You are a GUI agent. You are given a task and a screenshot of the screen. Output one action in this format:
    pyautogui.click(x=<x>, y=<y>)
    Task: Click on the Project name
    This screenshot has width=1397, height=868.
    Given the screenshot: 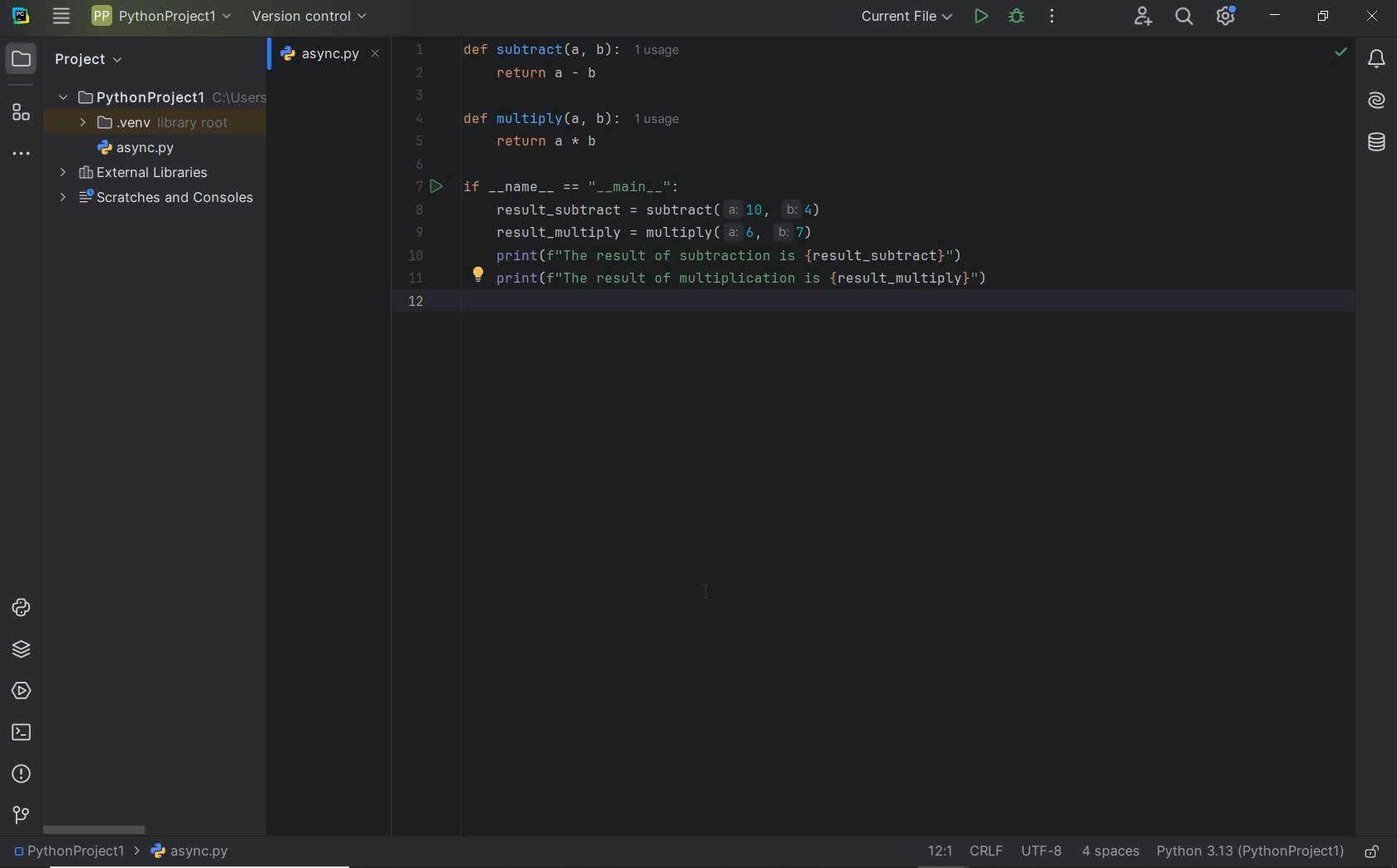 What is the action you would take?
    pyautogui.click(x=161, y=19)
    